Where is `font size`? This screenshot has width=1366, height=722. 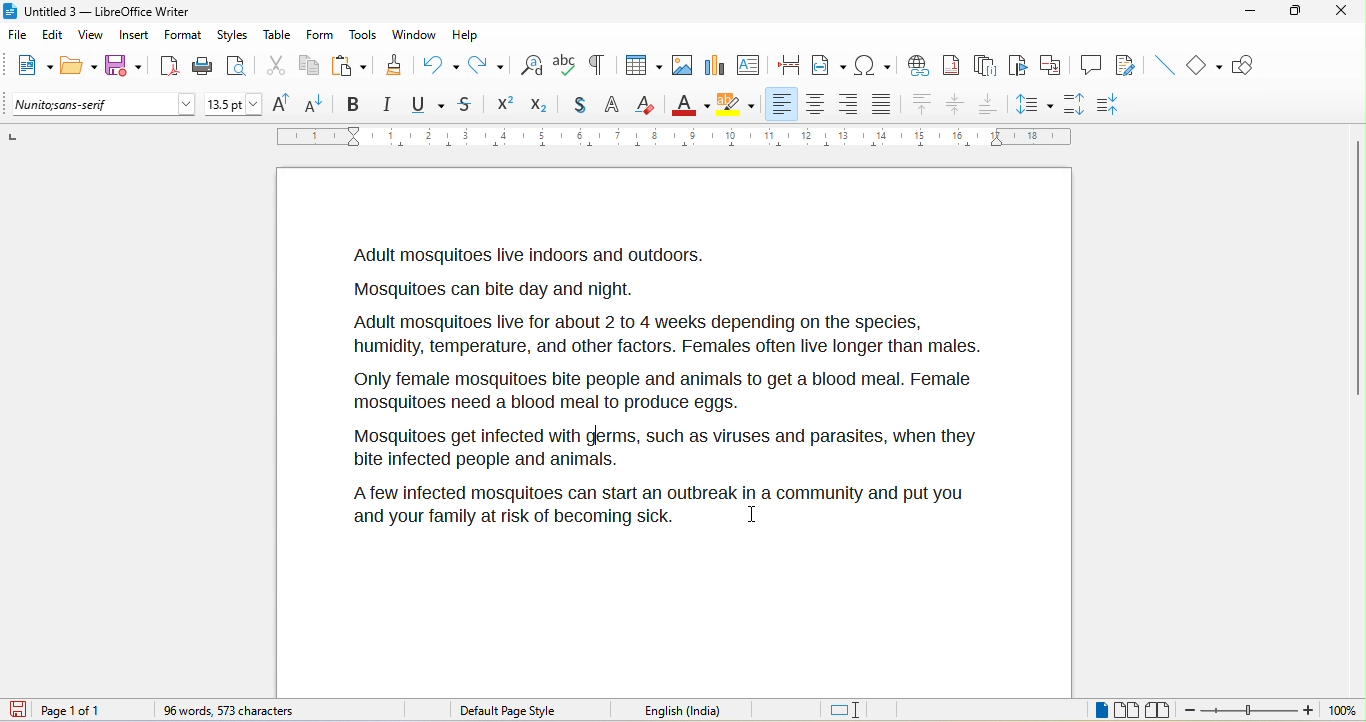 font size is located at coordinates (234, 104).